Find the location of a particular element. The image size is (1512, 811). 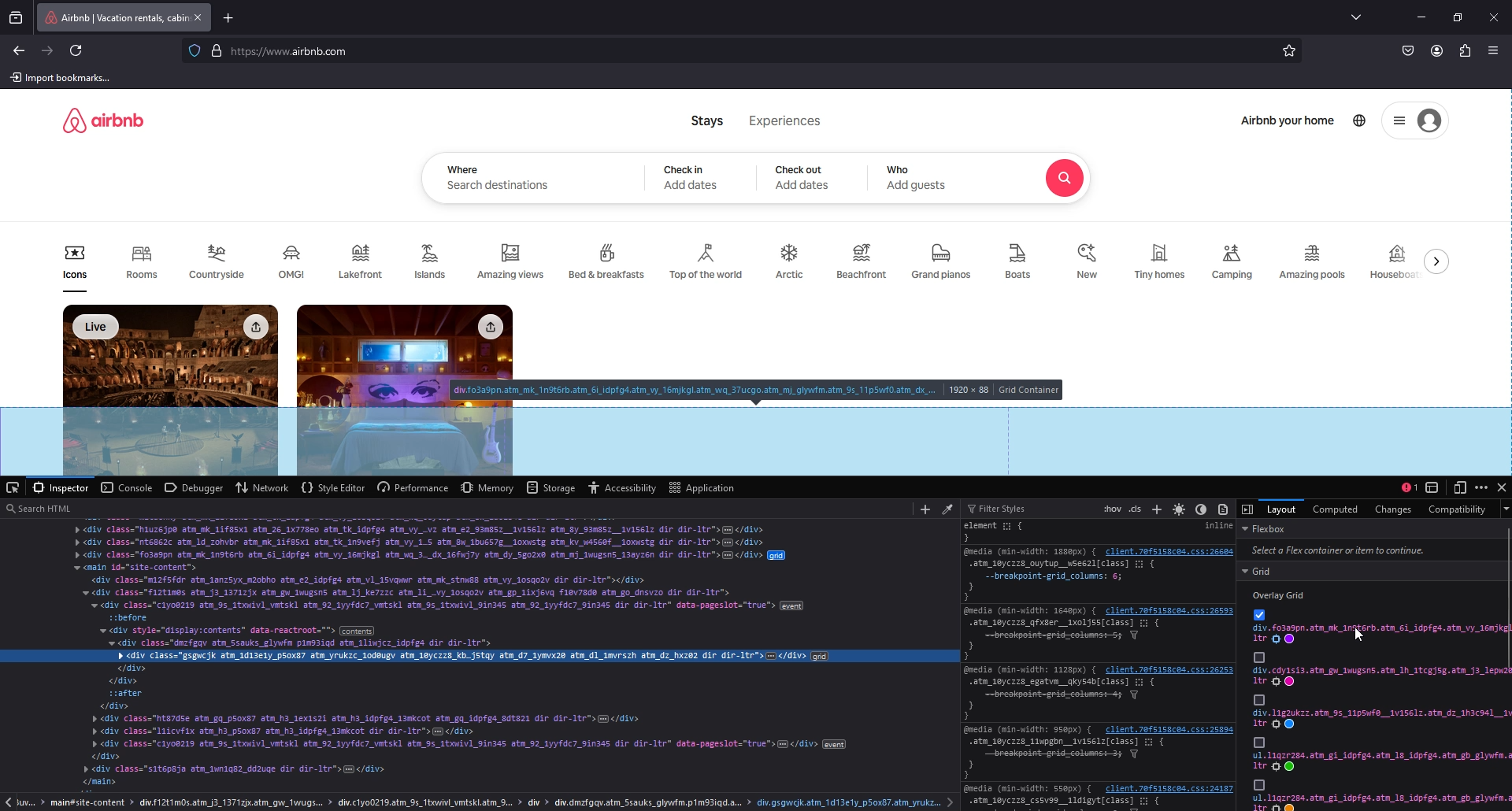

grid css is located at coordinates (1380, 719).